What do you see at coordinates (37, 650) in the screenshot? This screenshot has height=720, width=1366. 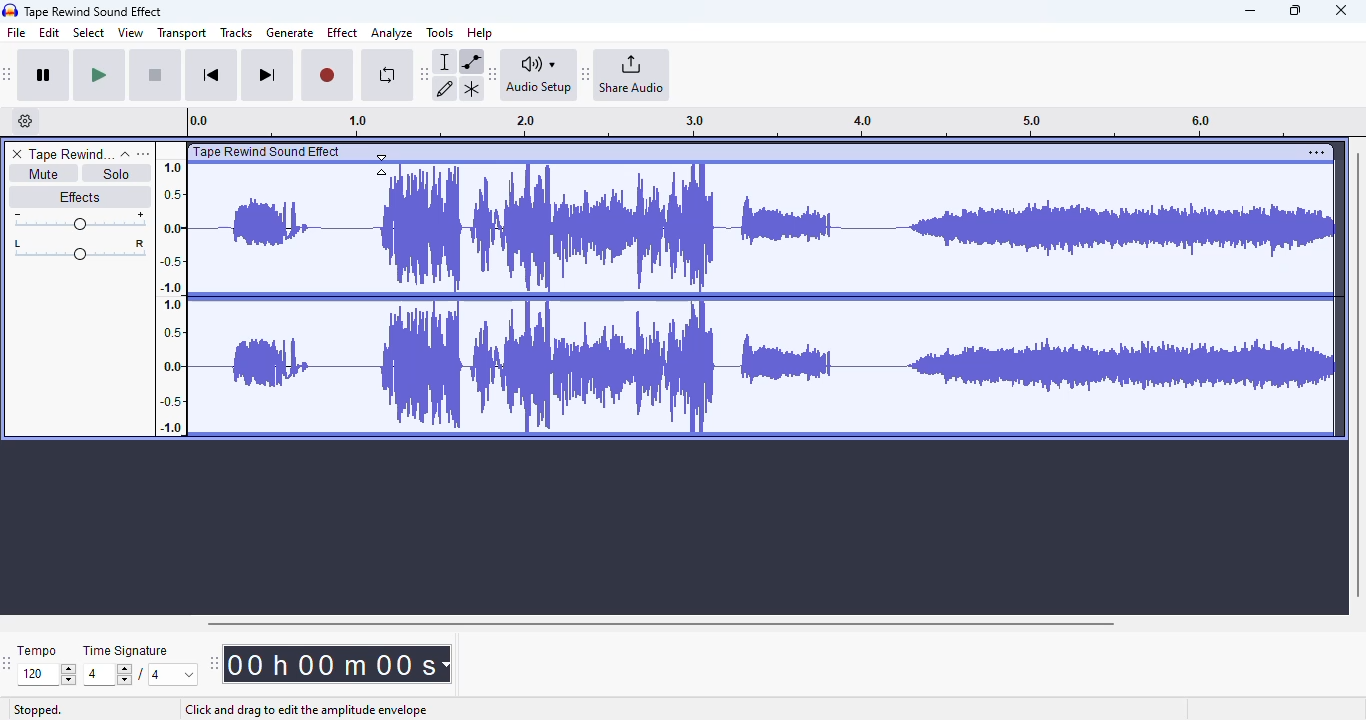 I see `tempo` at bounding box center [37, 650].